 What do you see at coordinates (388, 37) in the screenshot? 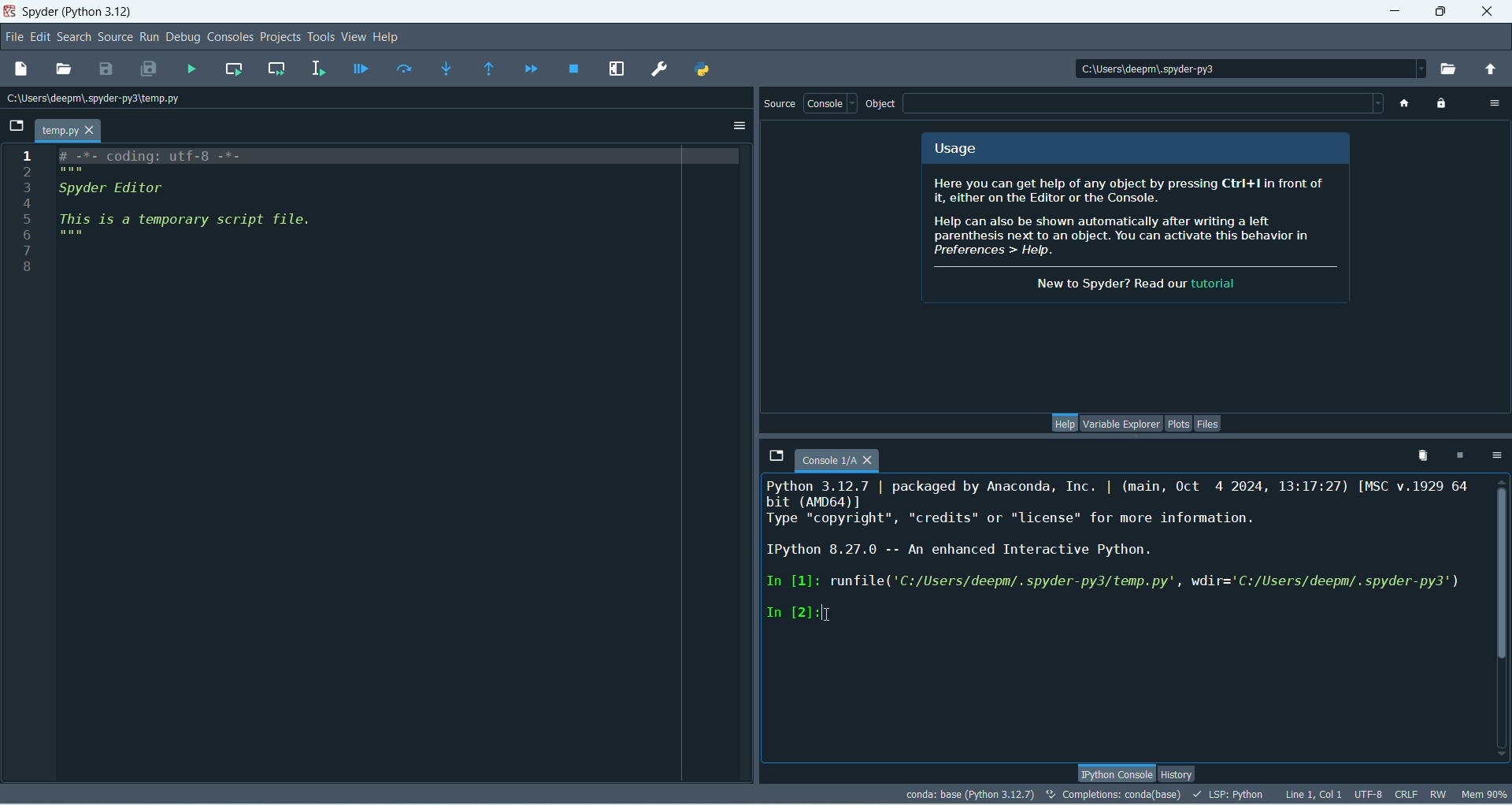
I see `help` at bounding box center [388, 37].